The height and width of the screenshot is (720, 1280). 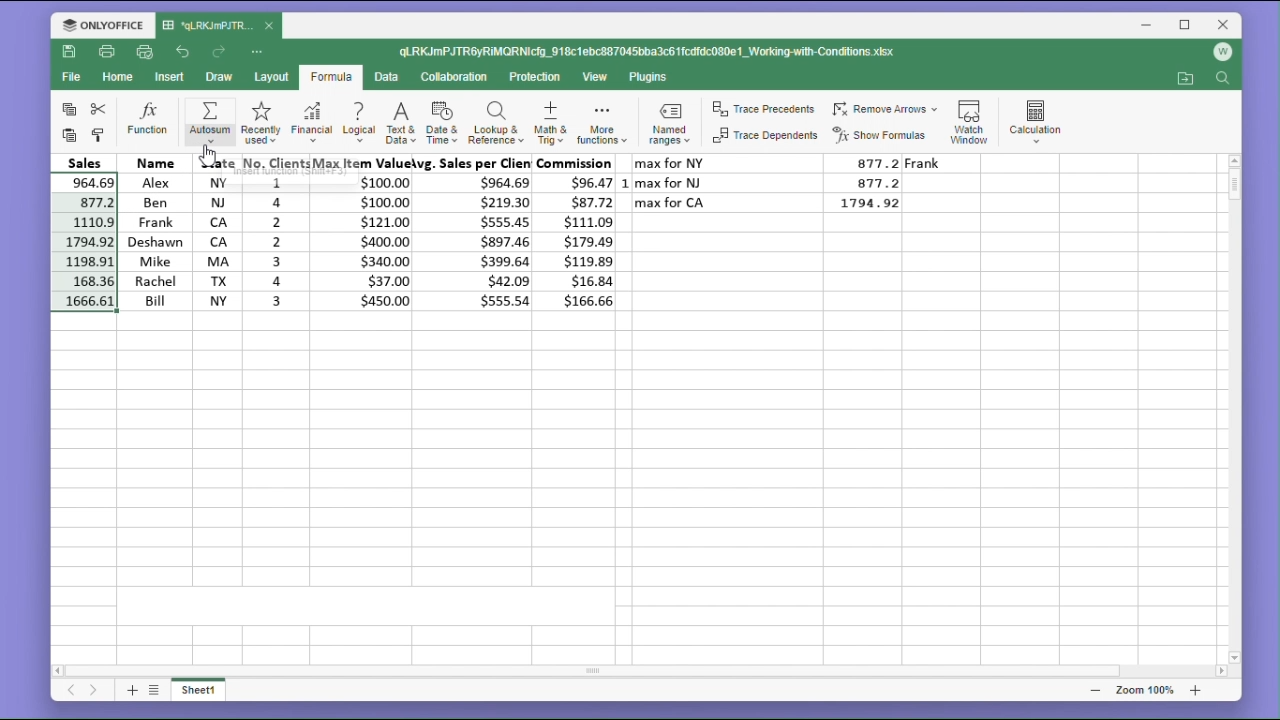 What do you see at coordinates (98, 24) in the screenshot?
I see `onlyoffice` at bounding box center [98, 24].